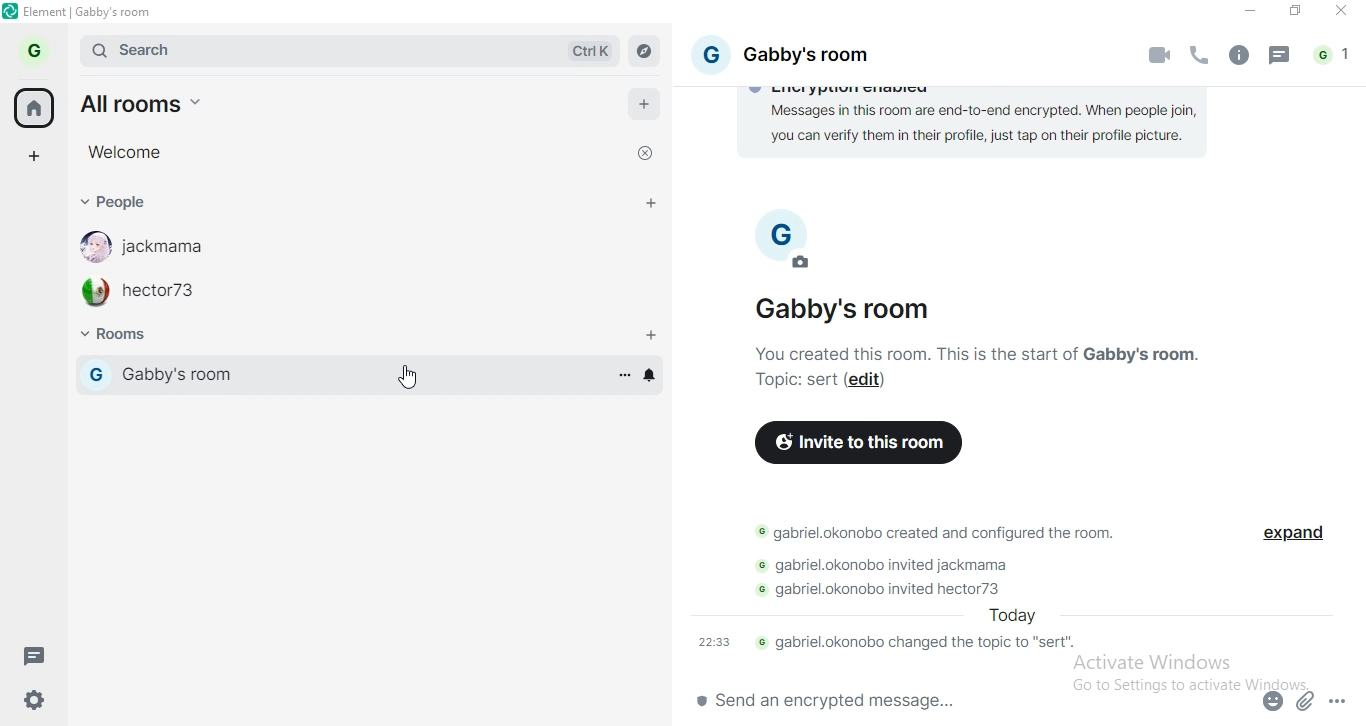 The width and height of the screenshot is (1366, 726). What do you see at coordinates (897, 565) in the screenshot?
I see `text 4` at bounding box center [897, 565].